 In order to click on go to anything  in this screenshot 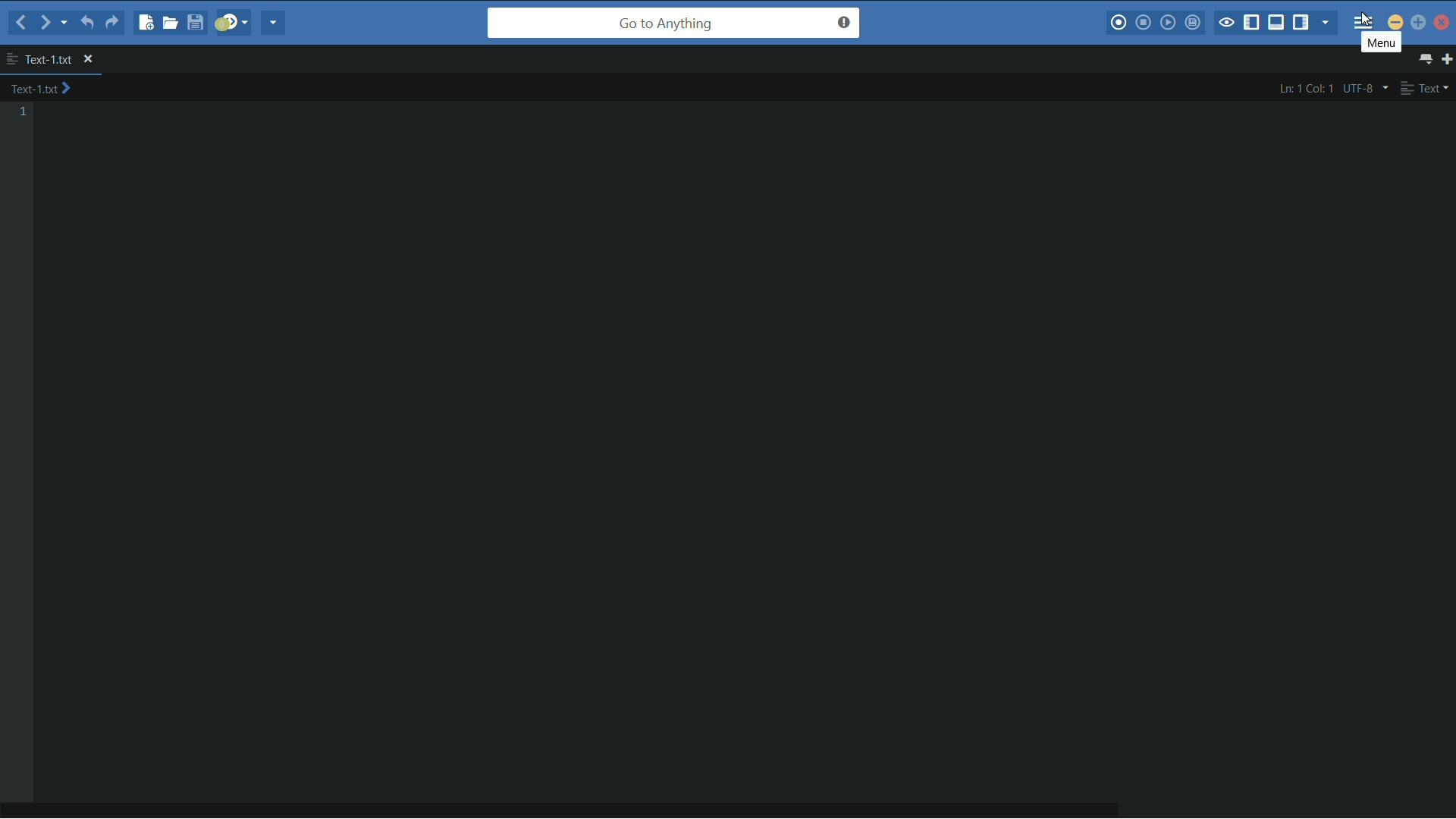, I will do `click(674, 23)`.